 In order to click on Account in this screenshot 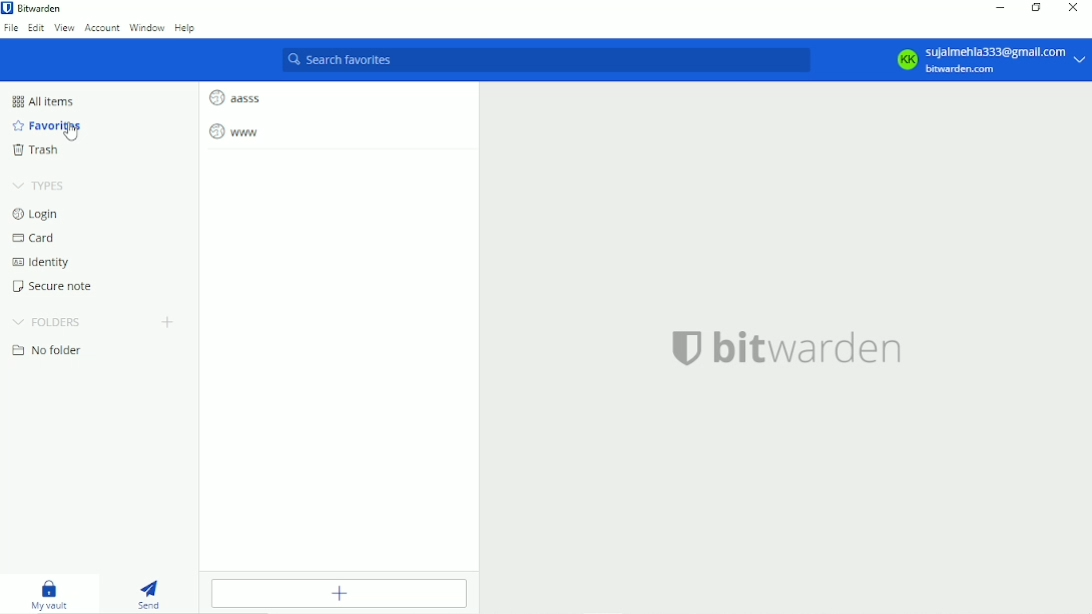, I will do `click(987, 58)`.